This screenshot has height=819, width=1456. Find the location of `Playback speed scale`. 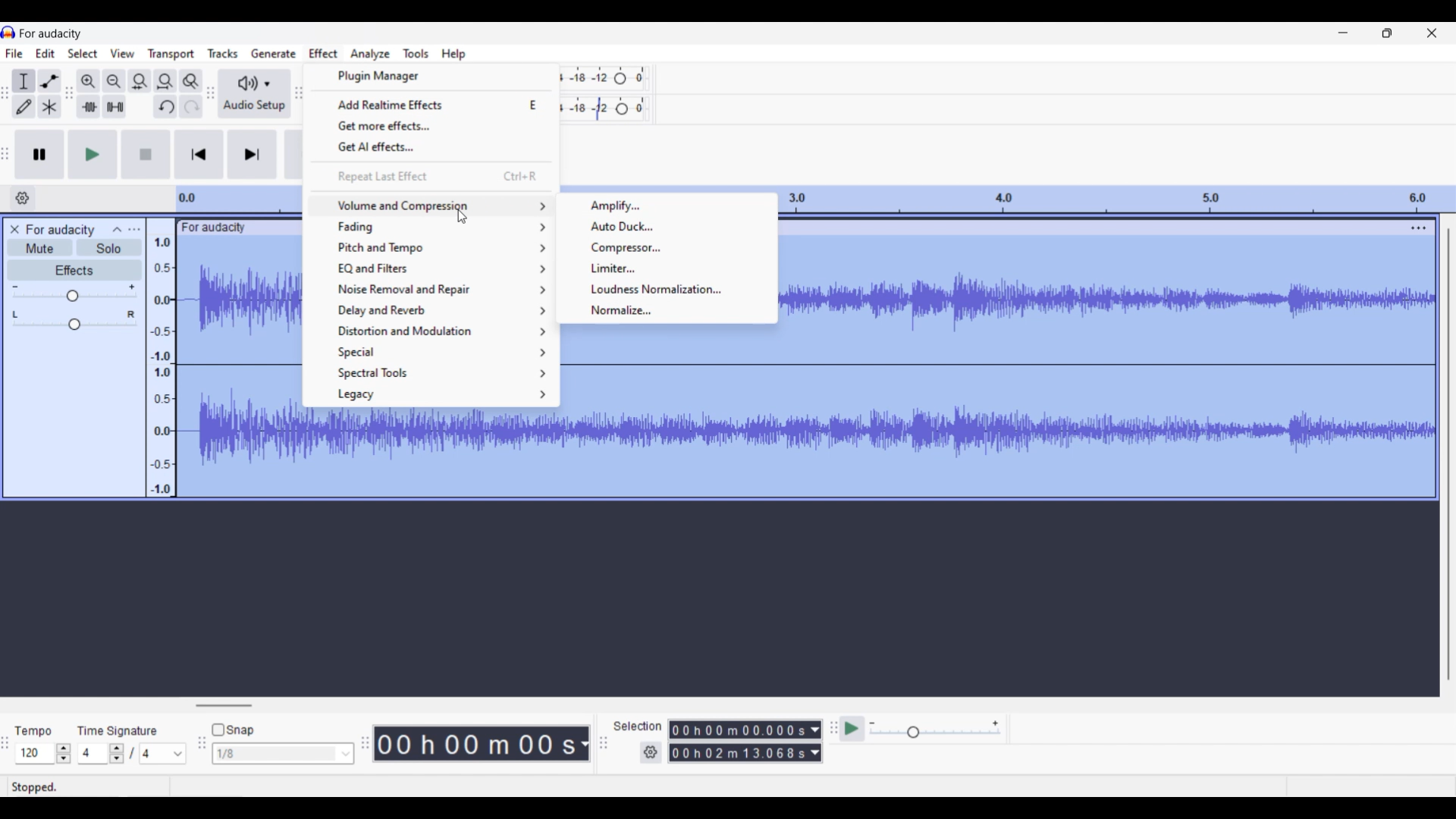

Playback speed scale is located at coordinates (934, 730).